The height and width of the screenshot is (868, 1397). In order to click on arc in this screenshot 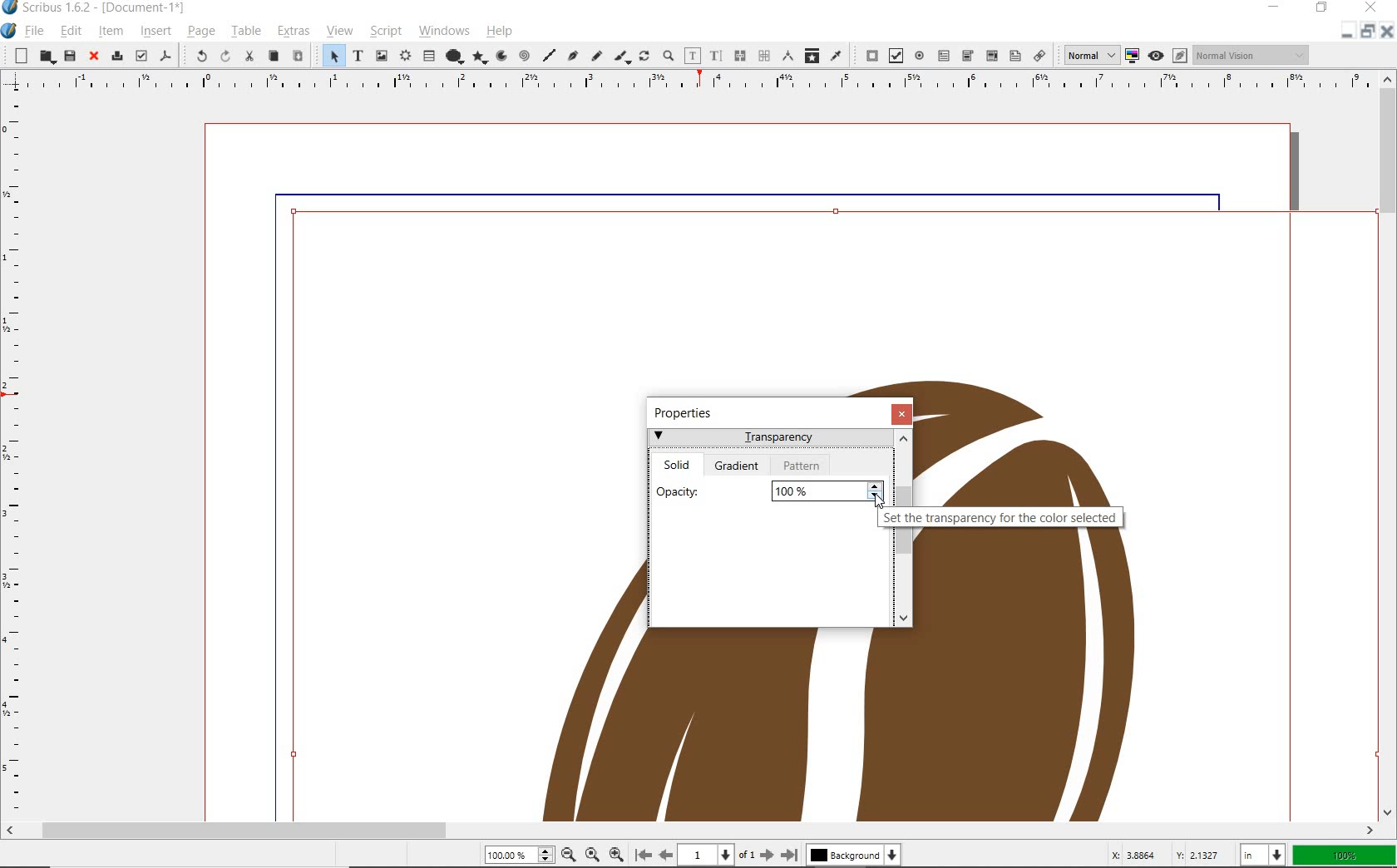, I will do `click(505, 55)`.